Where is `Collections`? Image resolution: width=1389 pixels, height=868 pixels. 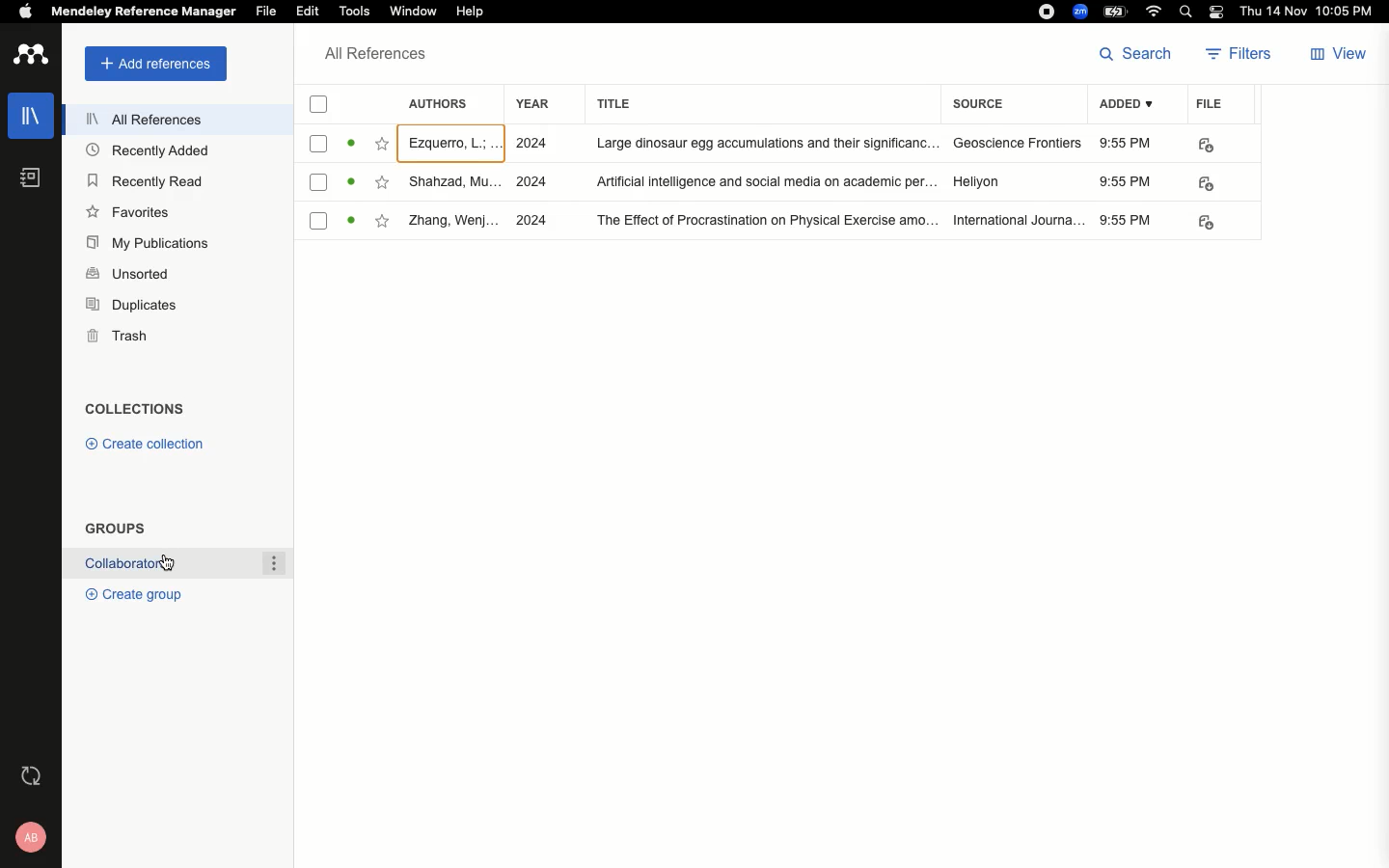 Collections is located at coordinates (141, 411).